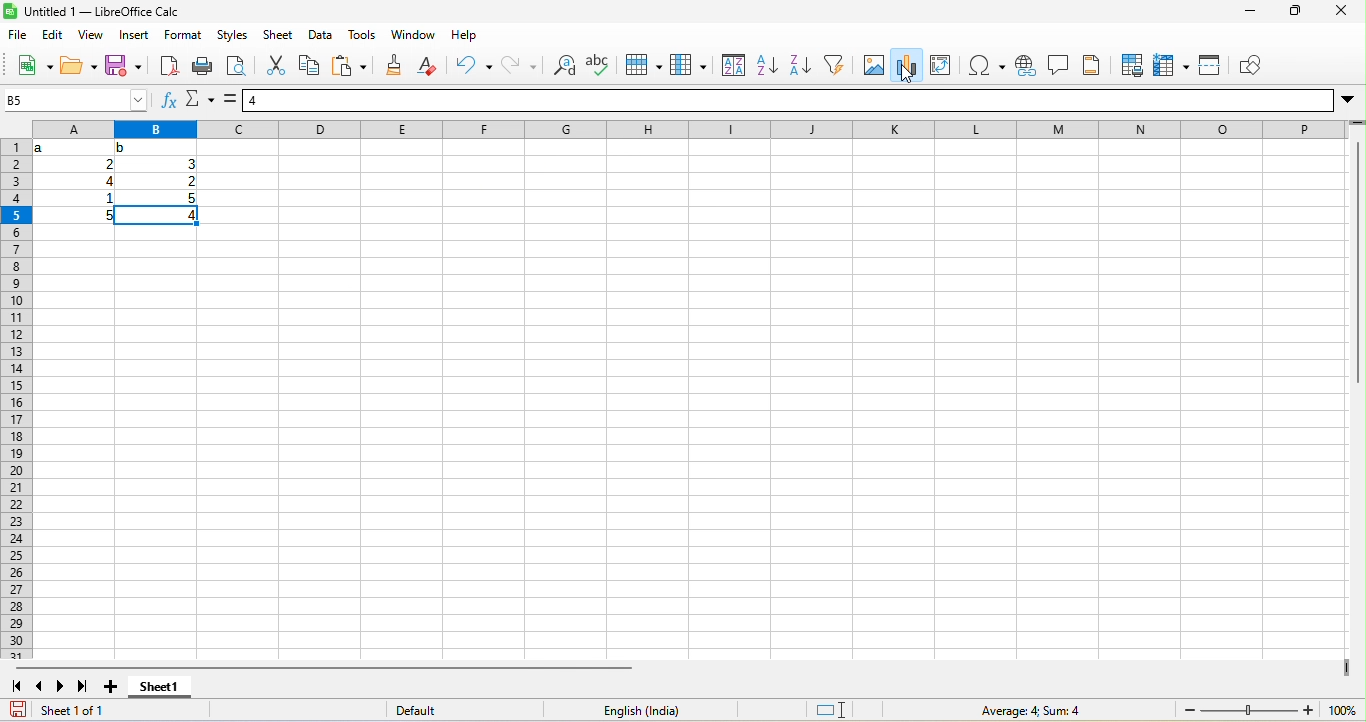  Describe the element at coordinates (61, 686) in the screenshot. I see ` next sheet` at that location.